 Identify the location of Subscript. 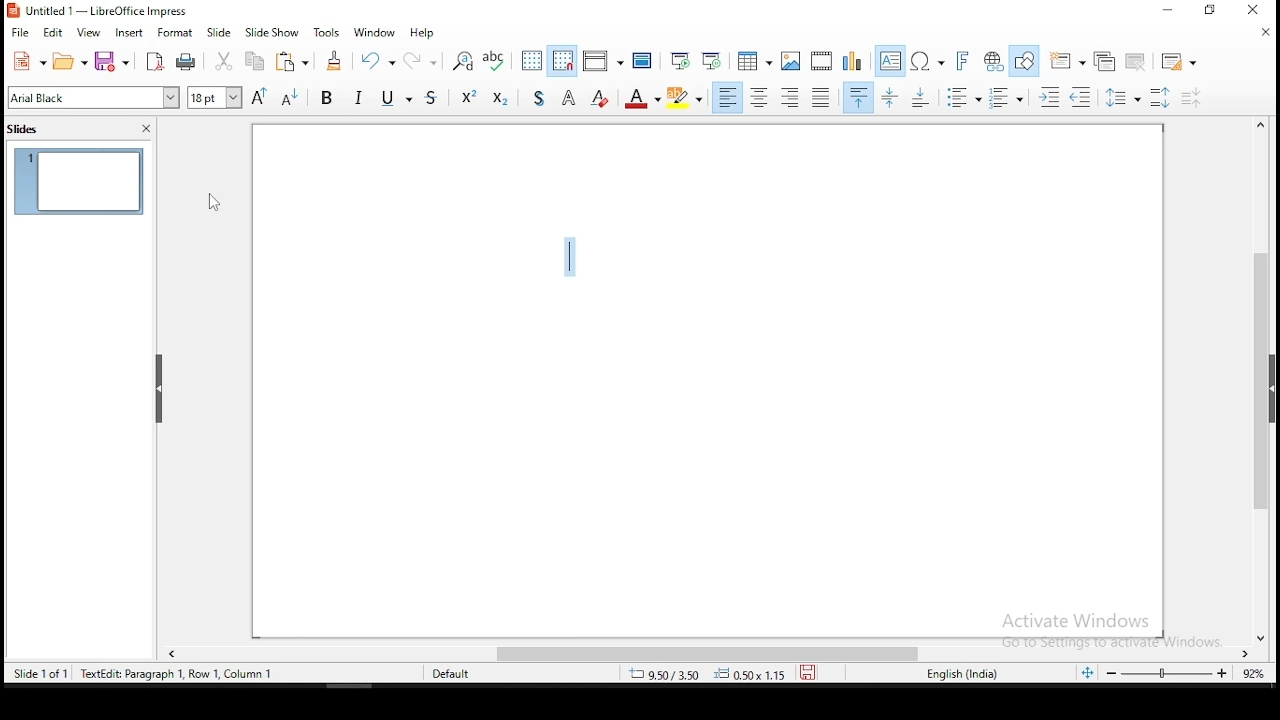
(499, 96).